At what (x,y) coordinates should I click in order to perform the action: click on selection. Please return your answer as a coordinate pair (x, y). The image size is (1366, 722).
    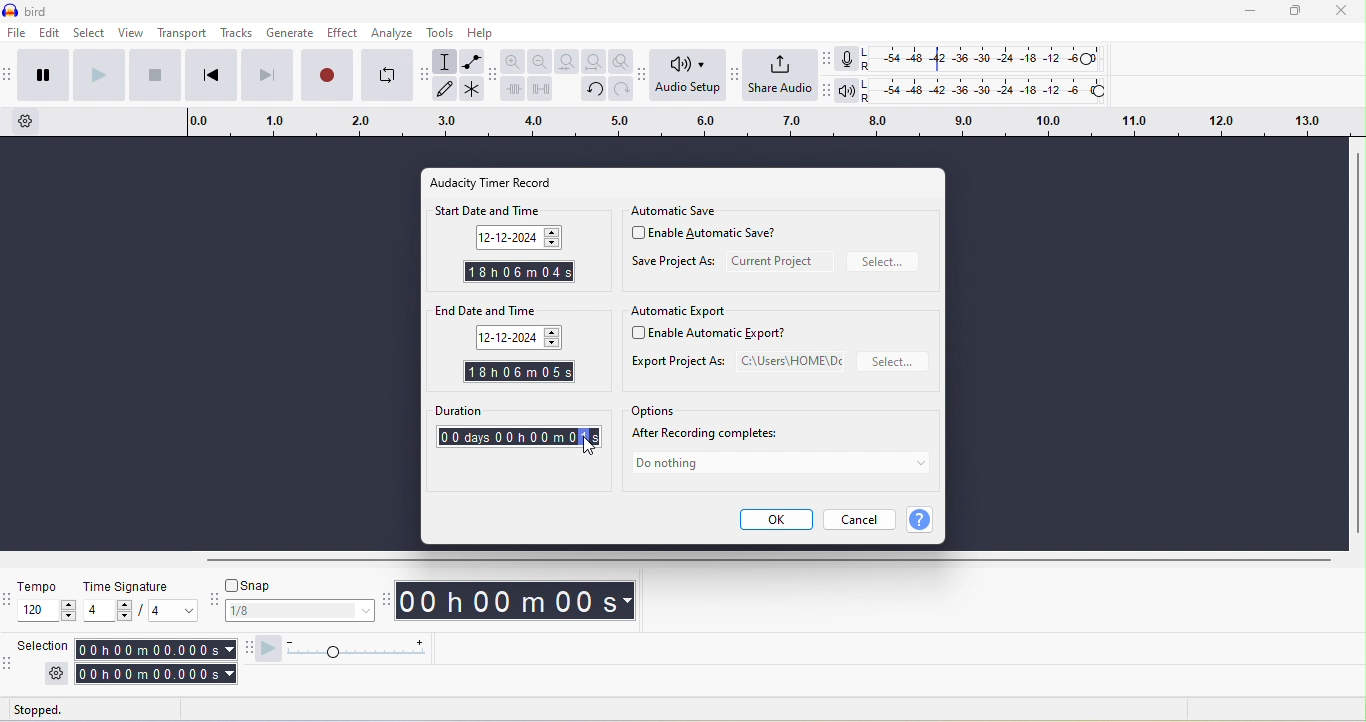
    Looking at the image, I should click on (44, 646).